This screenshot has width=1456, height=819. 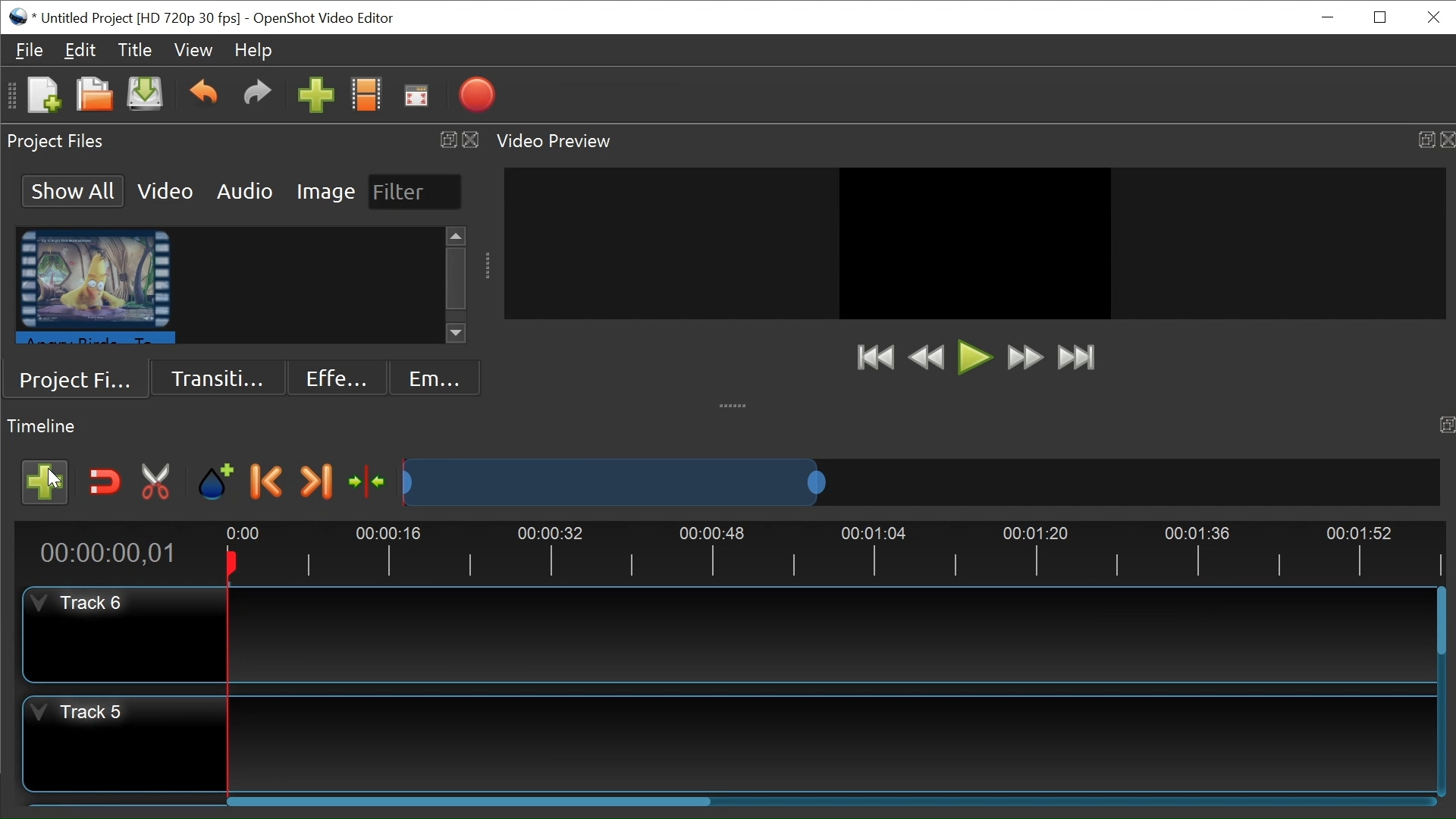 What do you see at coordinates (416, 95) in the screenshot?
I see `Fullscreen` at bounding box center [416, 95].